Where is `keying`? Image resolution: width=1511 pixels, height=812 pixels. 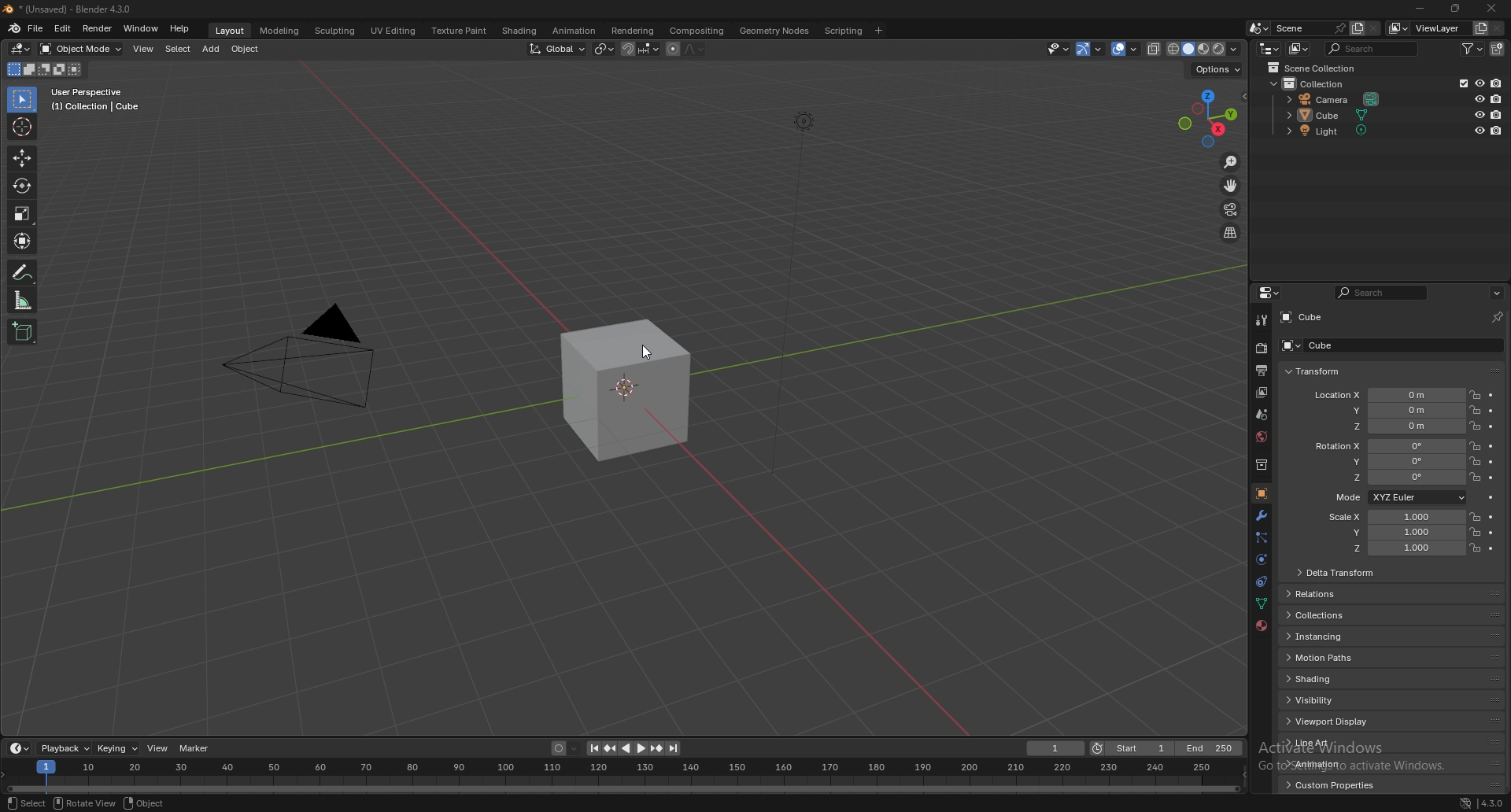 keying is located at coordinates (118, 748).